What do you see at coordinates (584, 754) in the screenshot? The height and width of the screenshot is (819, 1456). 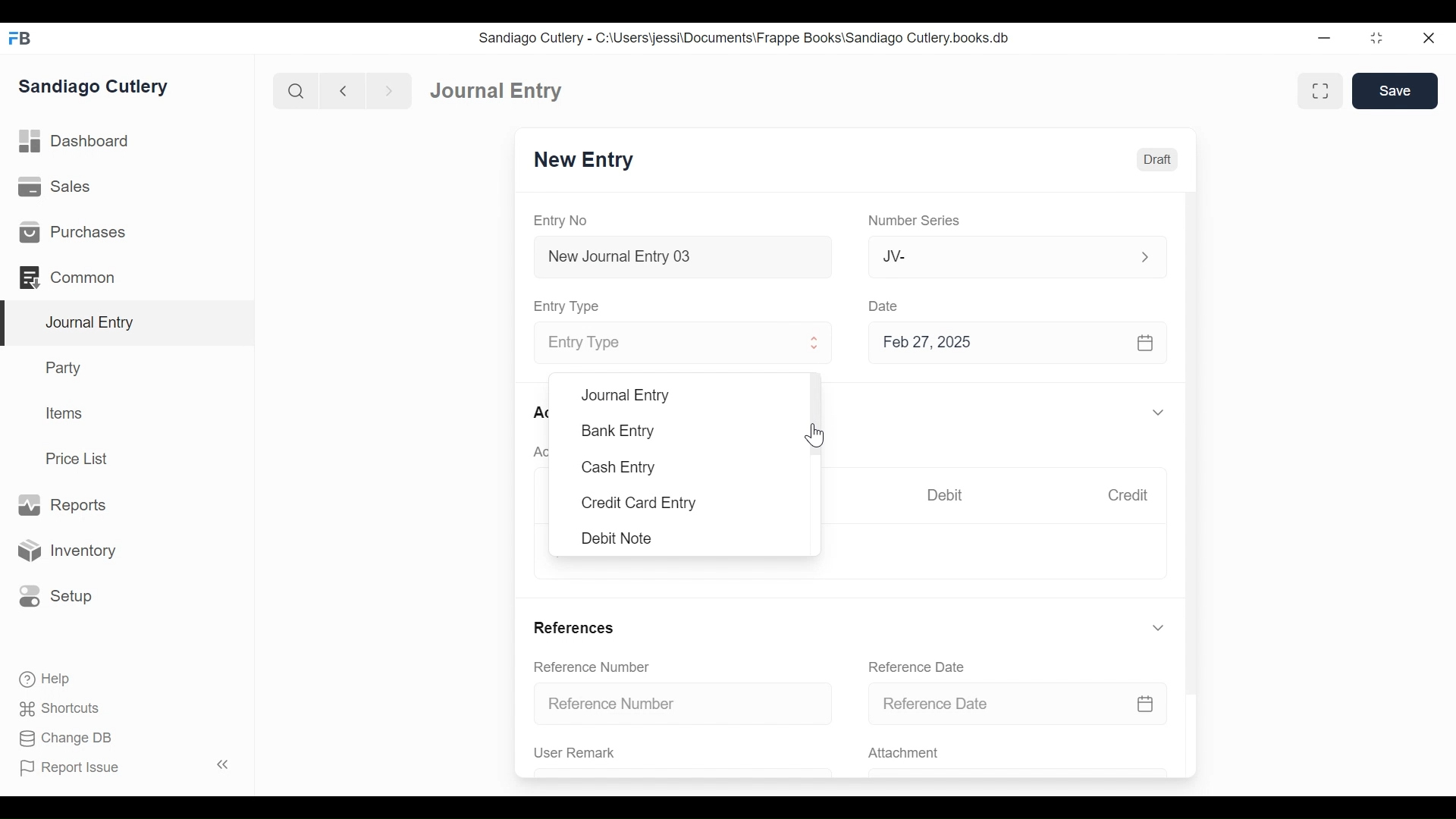 I see `User Remark` at bounding box center [584, 754].